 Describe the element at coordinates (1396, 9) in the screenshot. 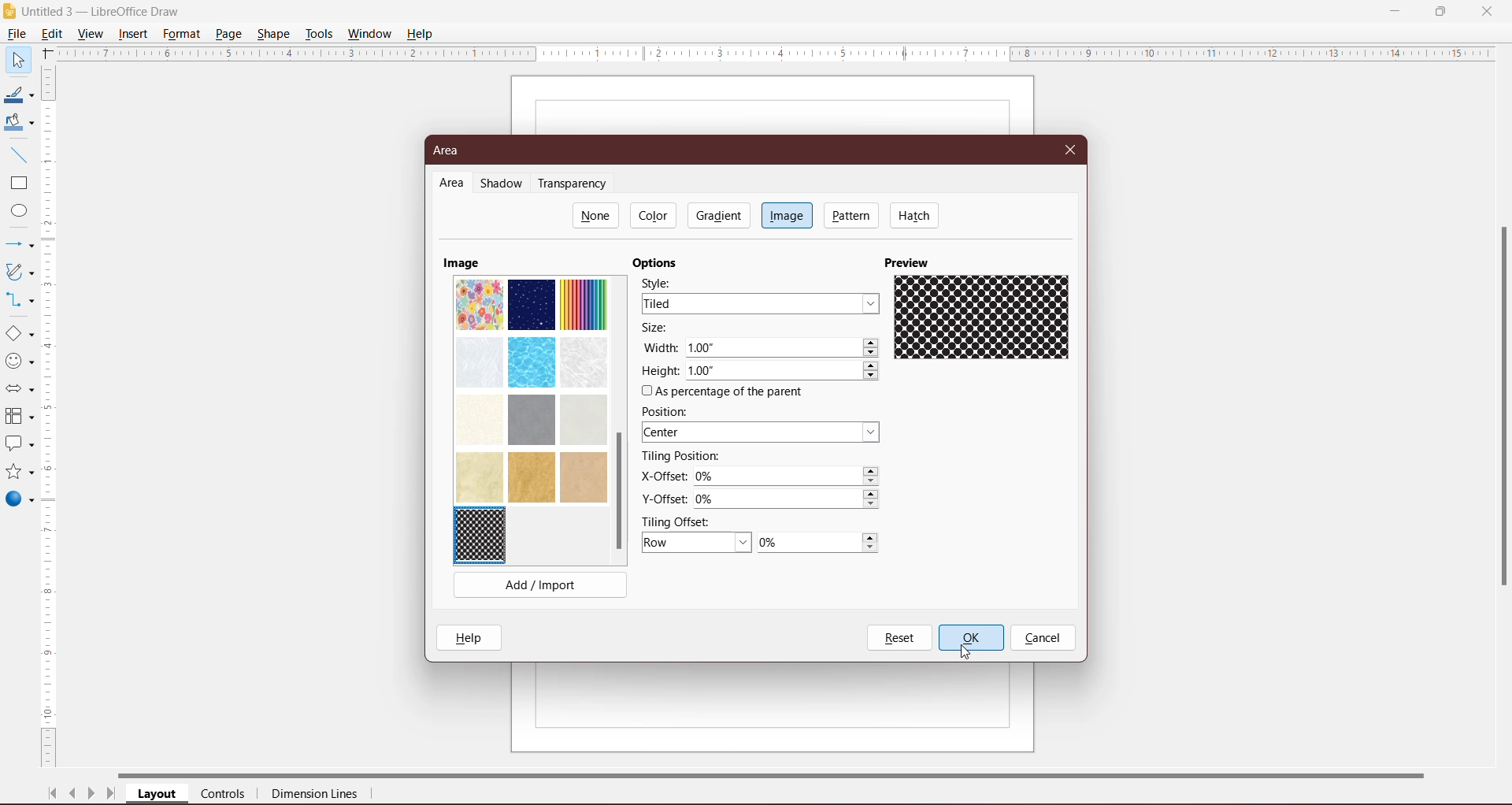

I see `Minimize` at that location.